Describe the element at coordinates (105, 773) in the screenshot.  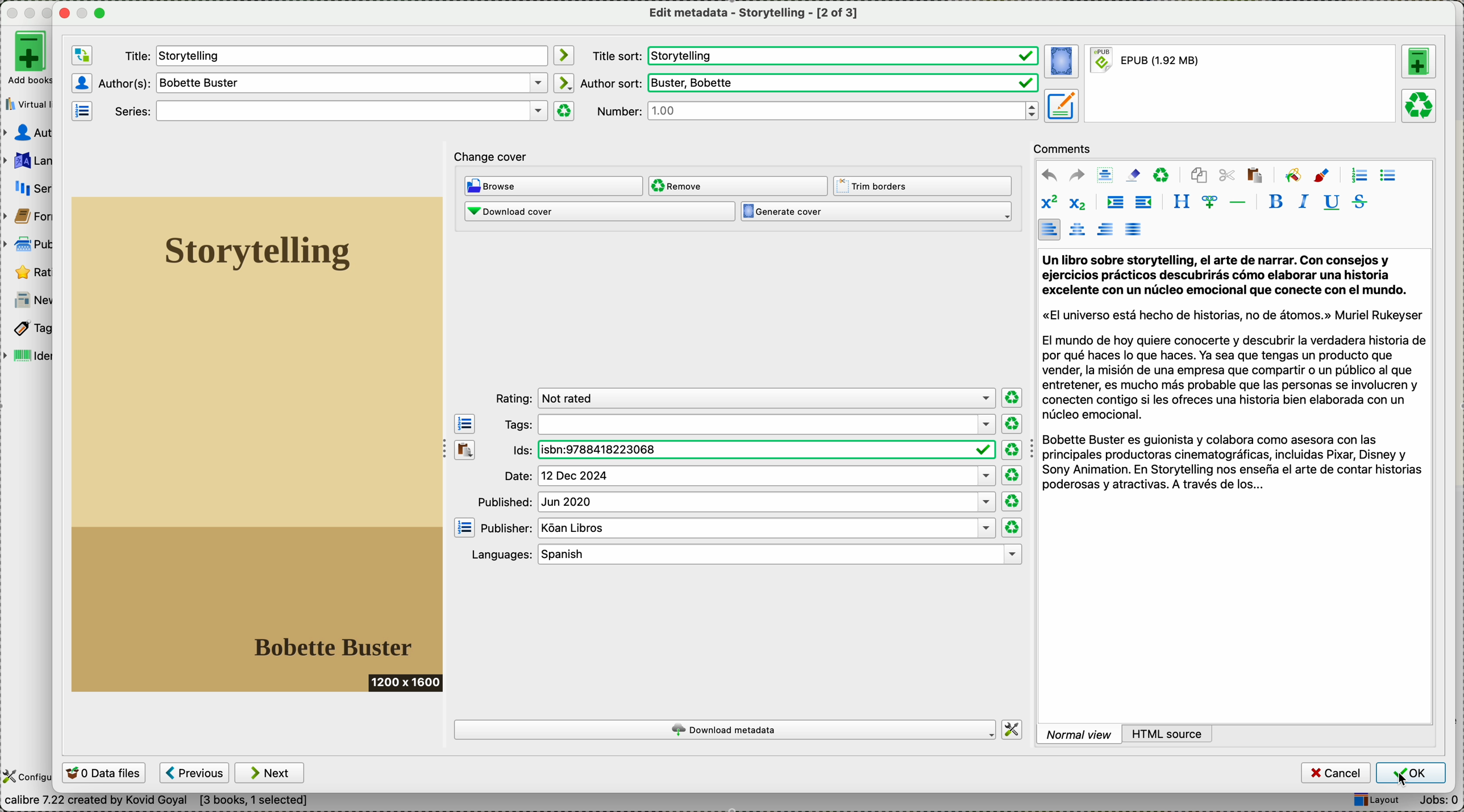
I see `data files` at that location.